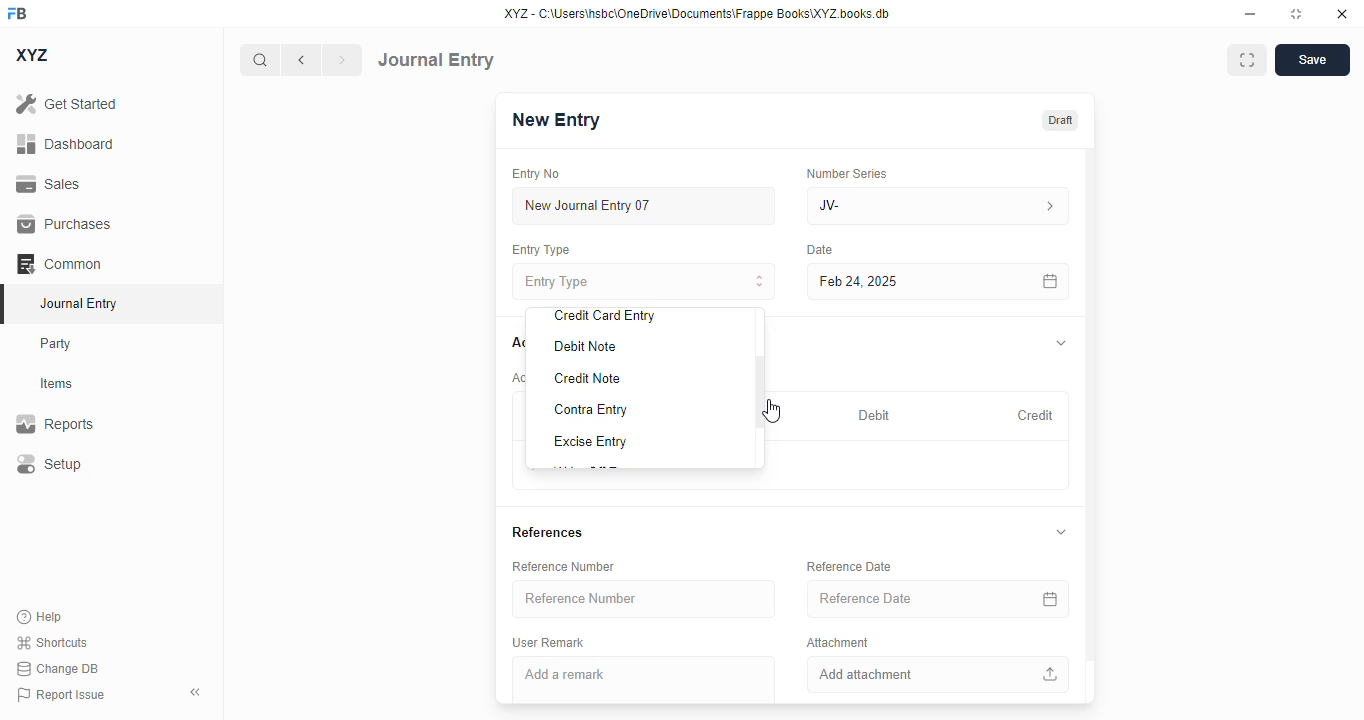 The image size is (1364, 720). What do you see at coordinates (643, 280) in the screenshot?
I see `entry type` at bounding box center [643, 280].